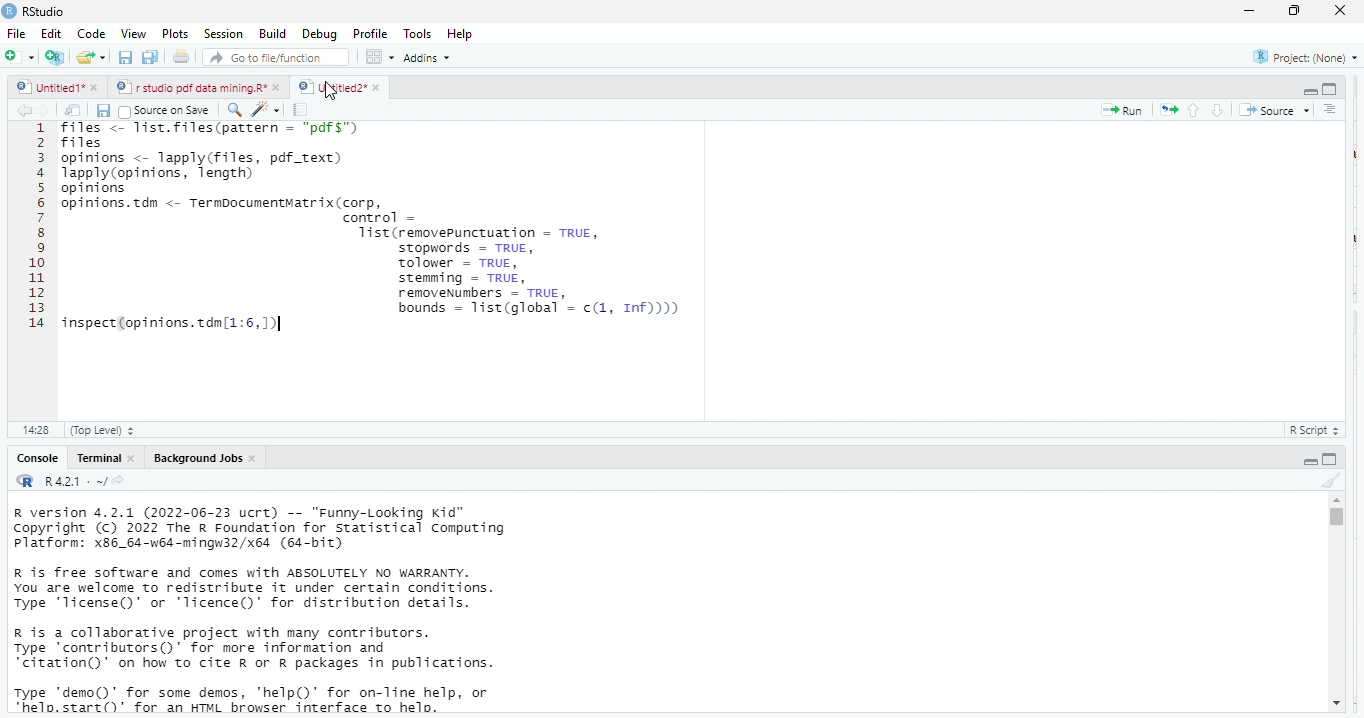 This screenshot has width=1364, height=718. I want to click on r script, so click(1319, 430).